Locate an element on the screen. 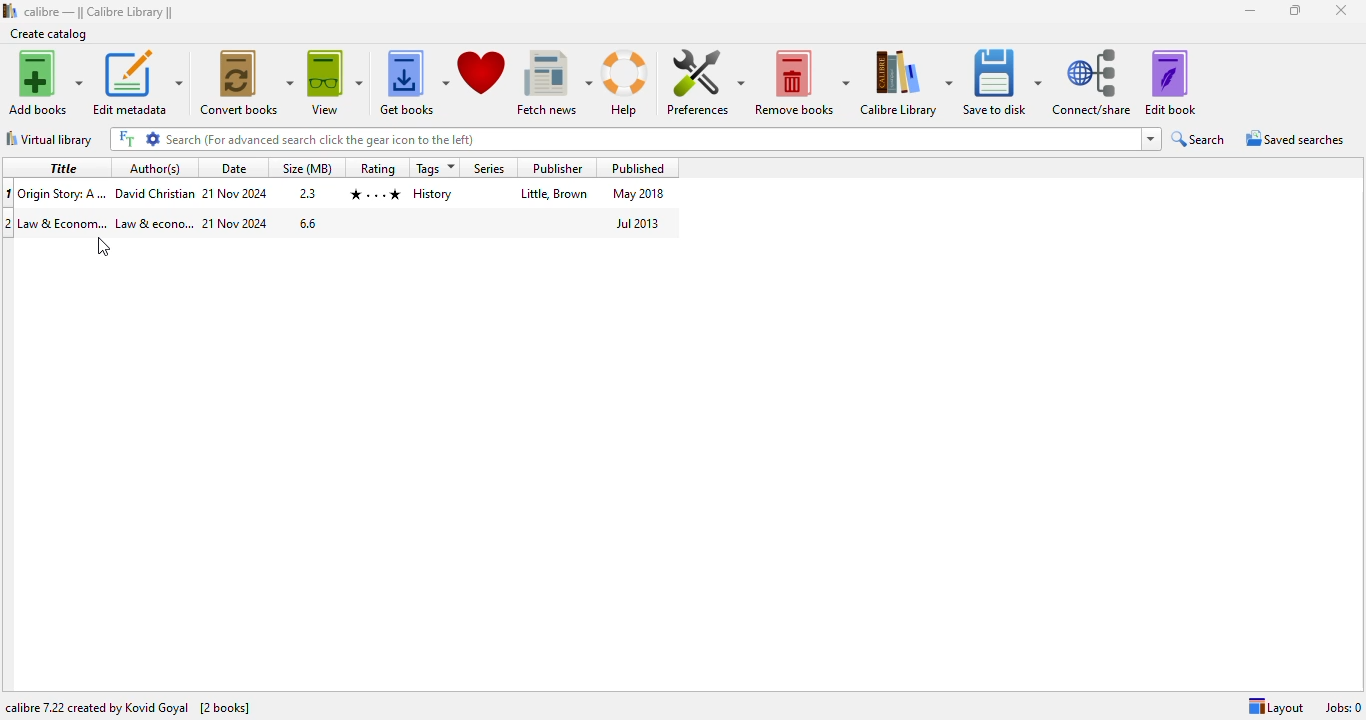 The width and height of the screenshot is (1366, 720). title is located at coordinates (61, 167).